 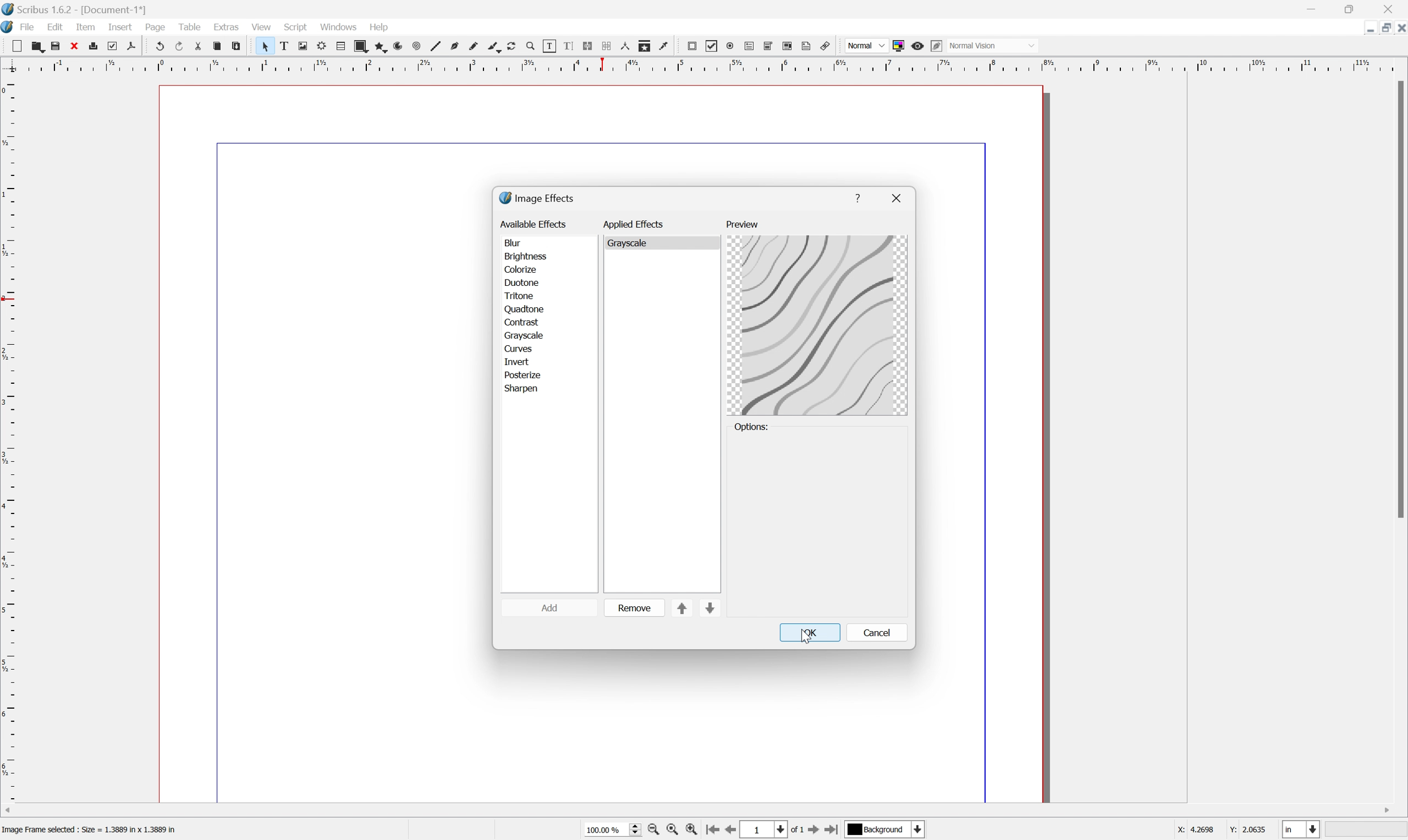 I want to click on New, so click(x=19, y=47).